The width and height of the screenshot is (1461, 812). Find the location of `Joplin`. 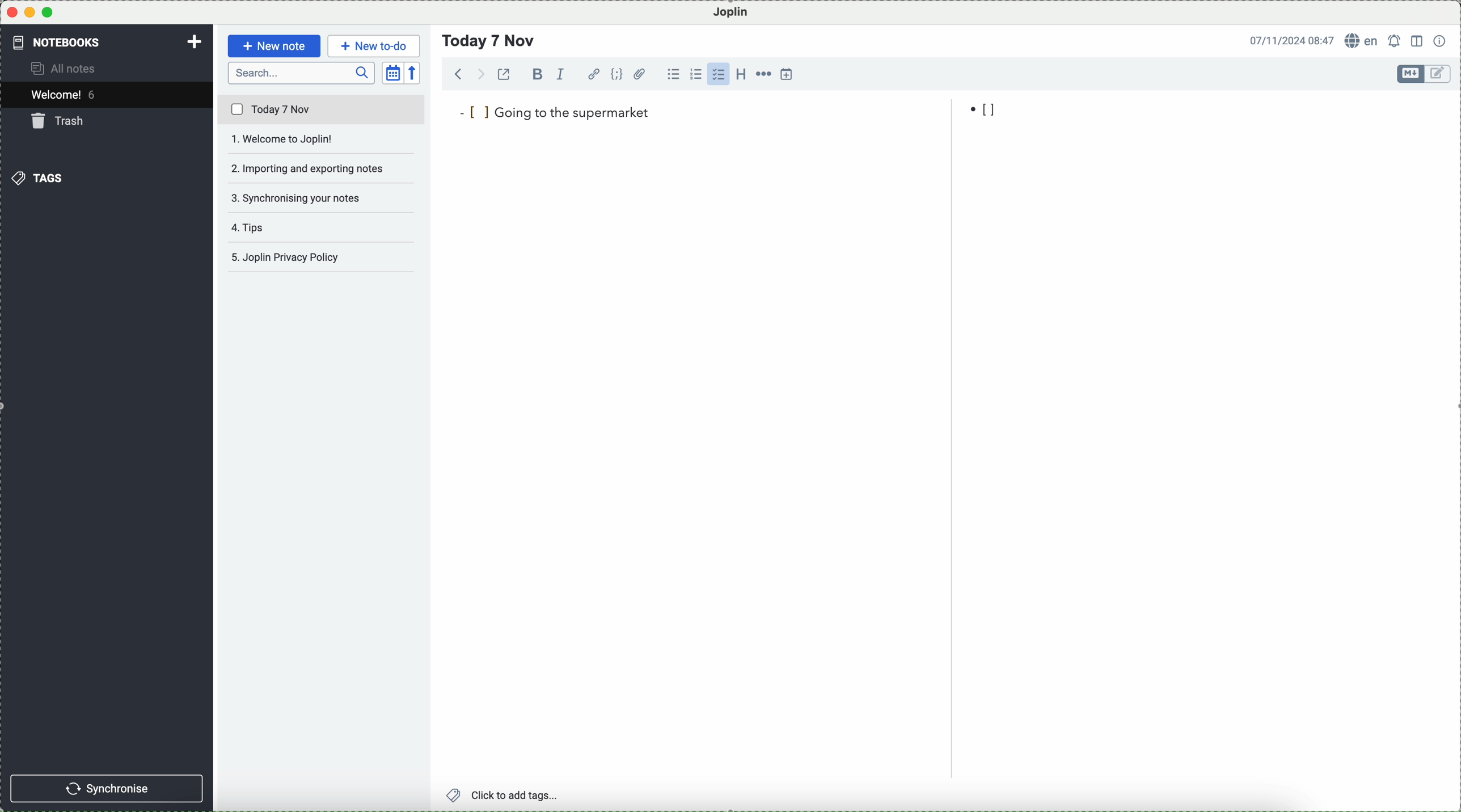

Joplin is located at coordinates (731, 13).